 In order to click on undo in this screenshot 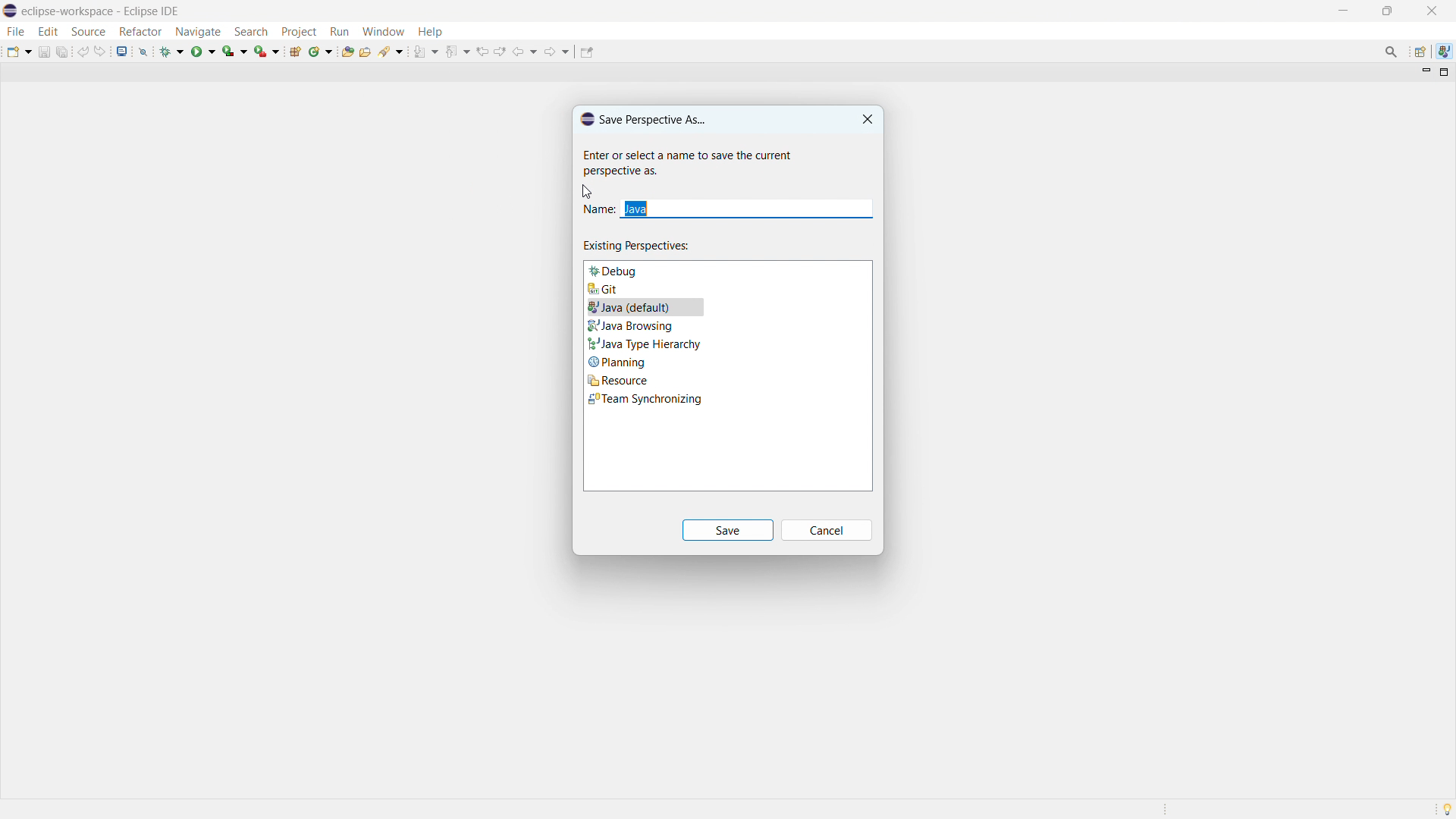, I will do `click(83, 51)`.